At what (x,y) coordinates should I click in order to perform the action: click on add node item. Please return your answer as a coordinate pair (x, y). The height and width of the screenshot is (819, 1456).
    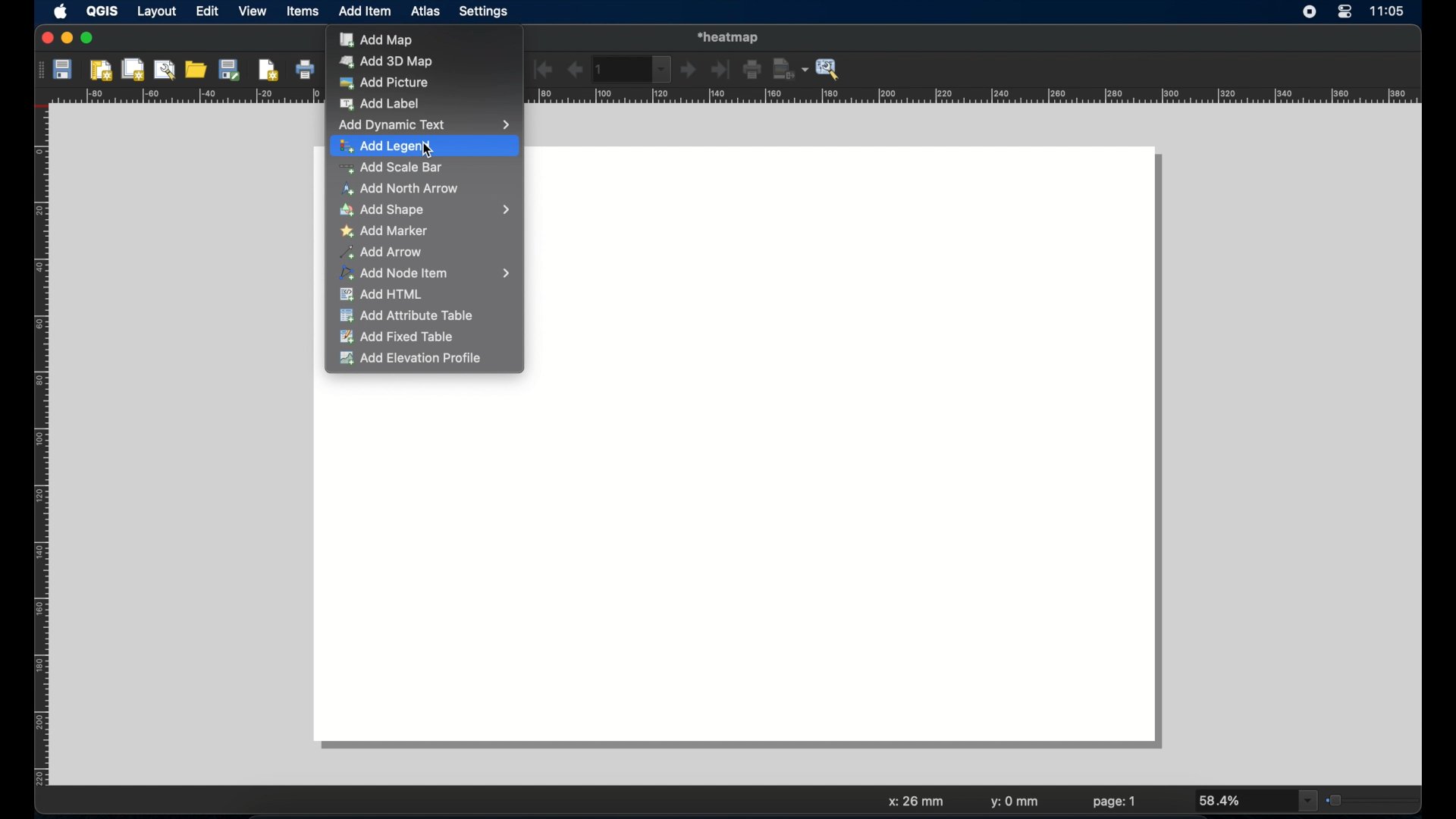
    Looking at the image, I should click on (427, 274).